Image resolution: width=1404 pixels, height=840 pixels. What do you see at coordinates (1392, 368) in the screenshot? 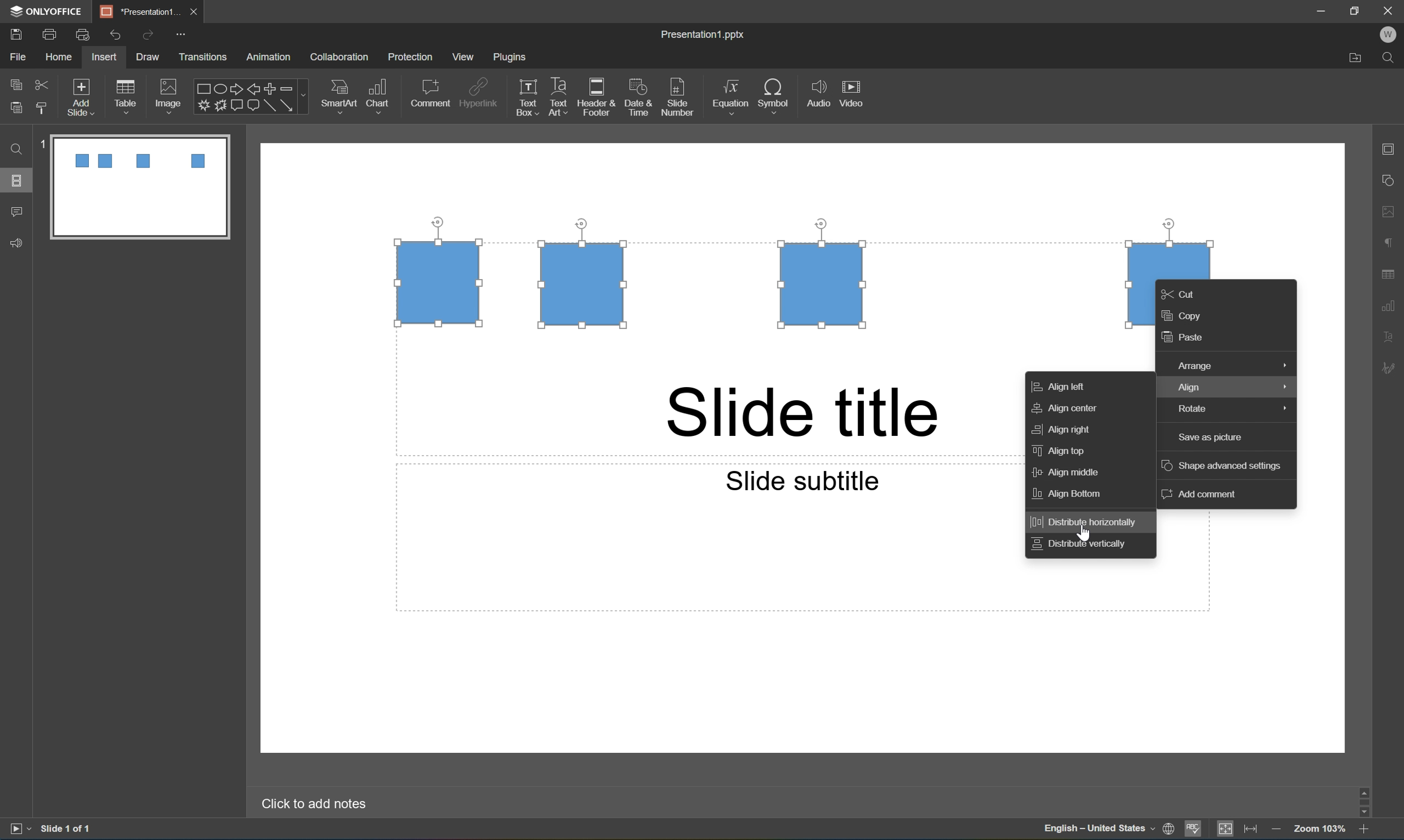
I see `signature settings` at bounding box center [1392, 368].